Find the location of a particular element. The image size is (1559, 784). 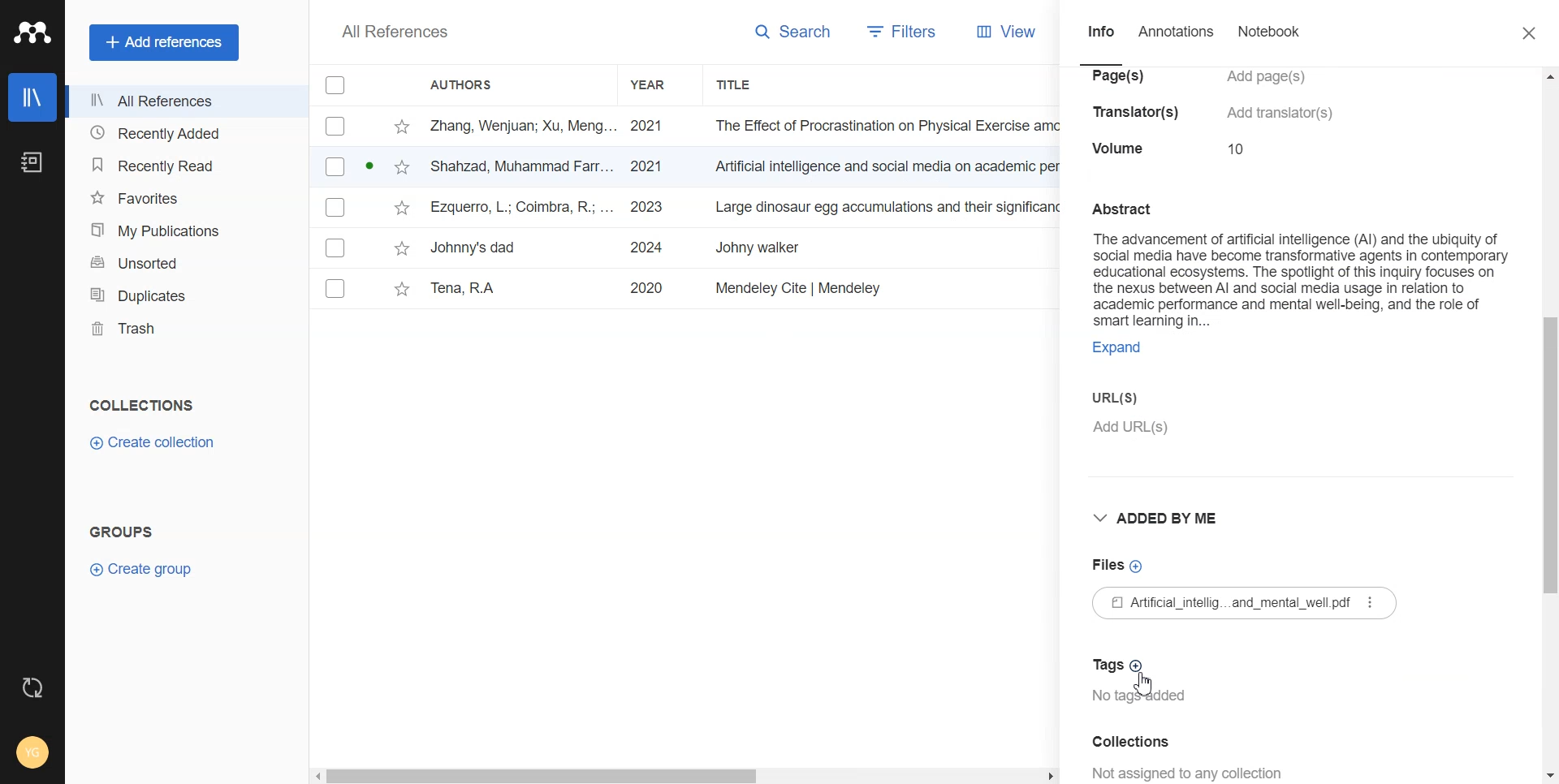

Title is located at coordinates (752, 85).